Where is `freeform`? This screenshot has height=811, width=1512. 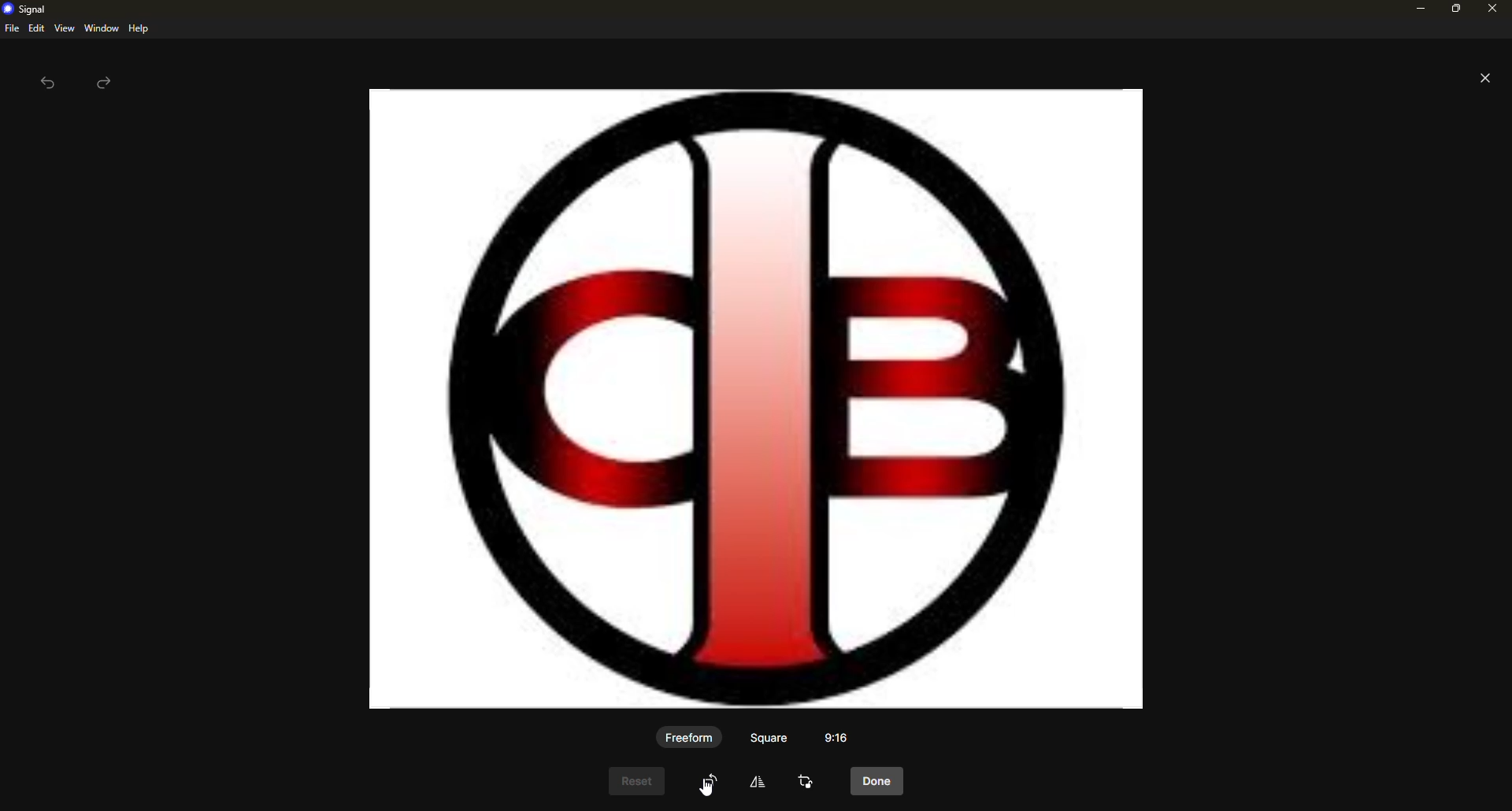
freeform is located at coordinates (690, 736).